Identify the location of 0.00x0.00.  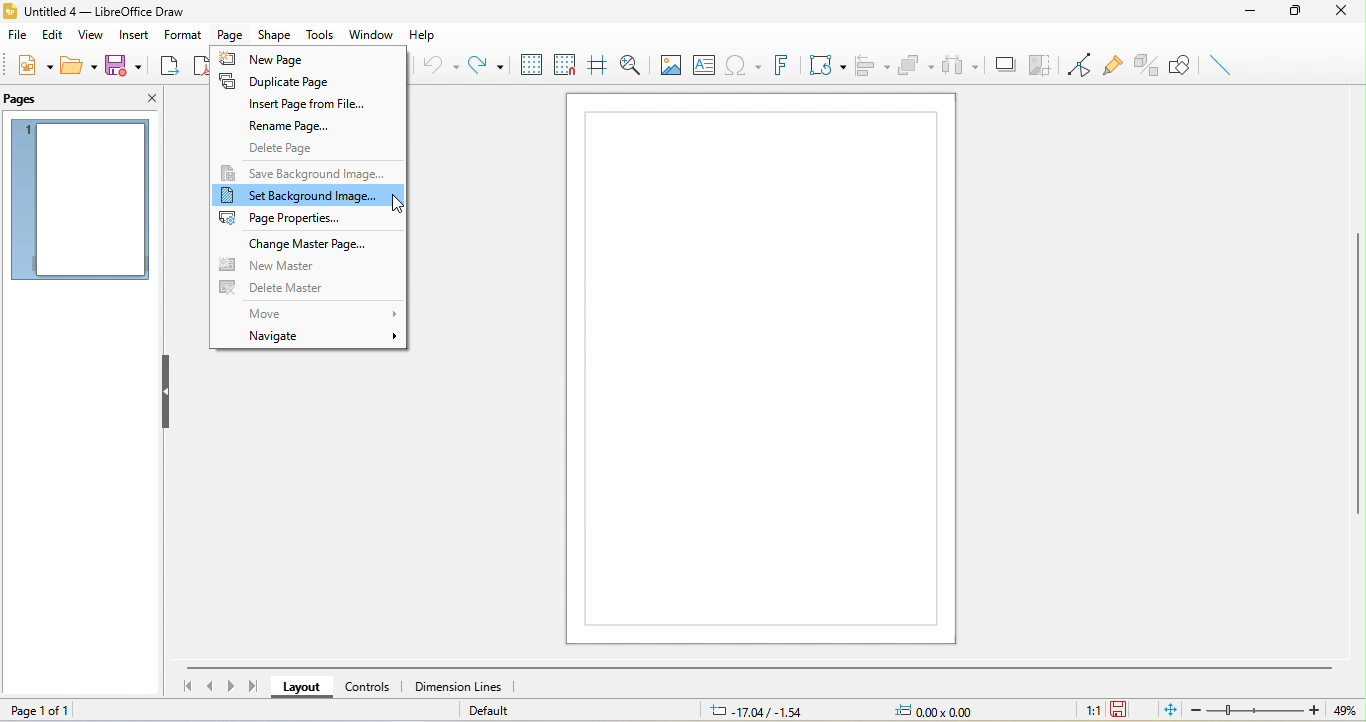
(947, 709).